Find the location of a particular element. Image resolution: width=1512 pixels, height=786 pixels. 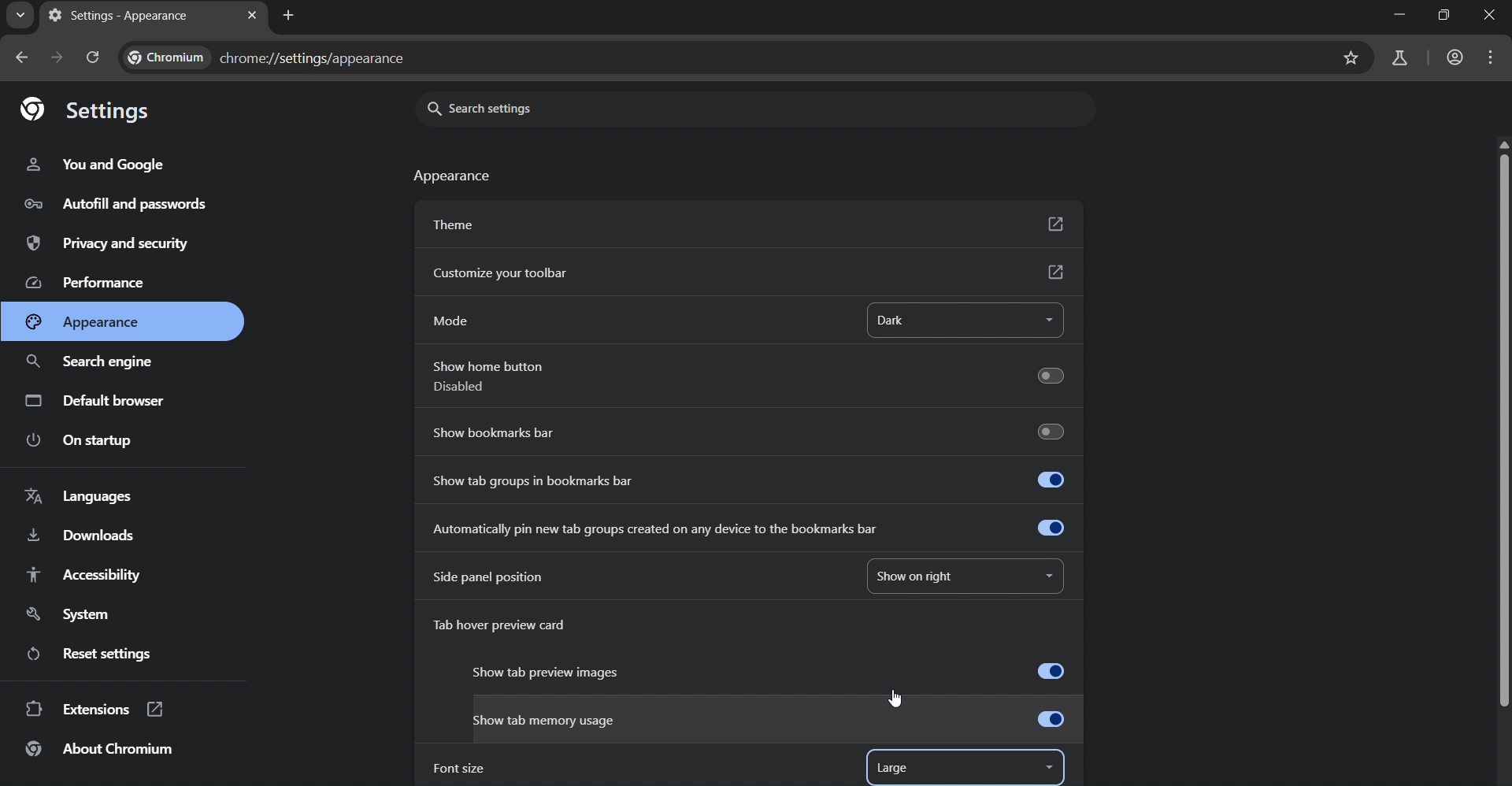

minimize is located at coordinates (1403, 15).